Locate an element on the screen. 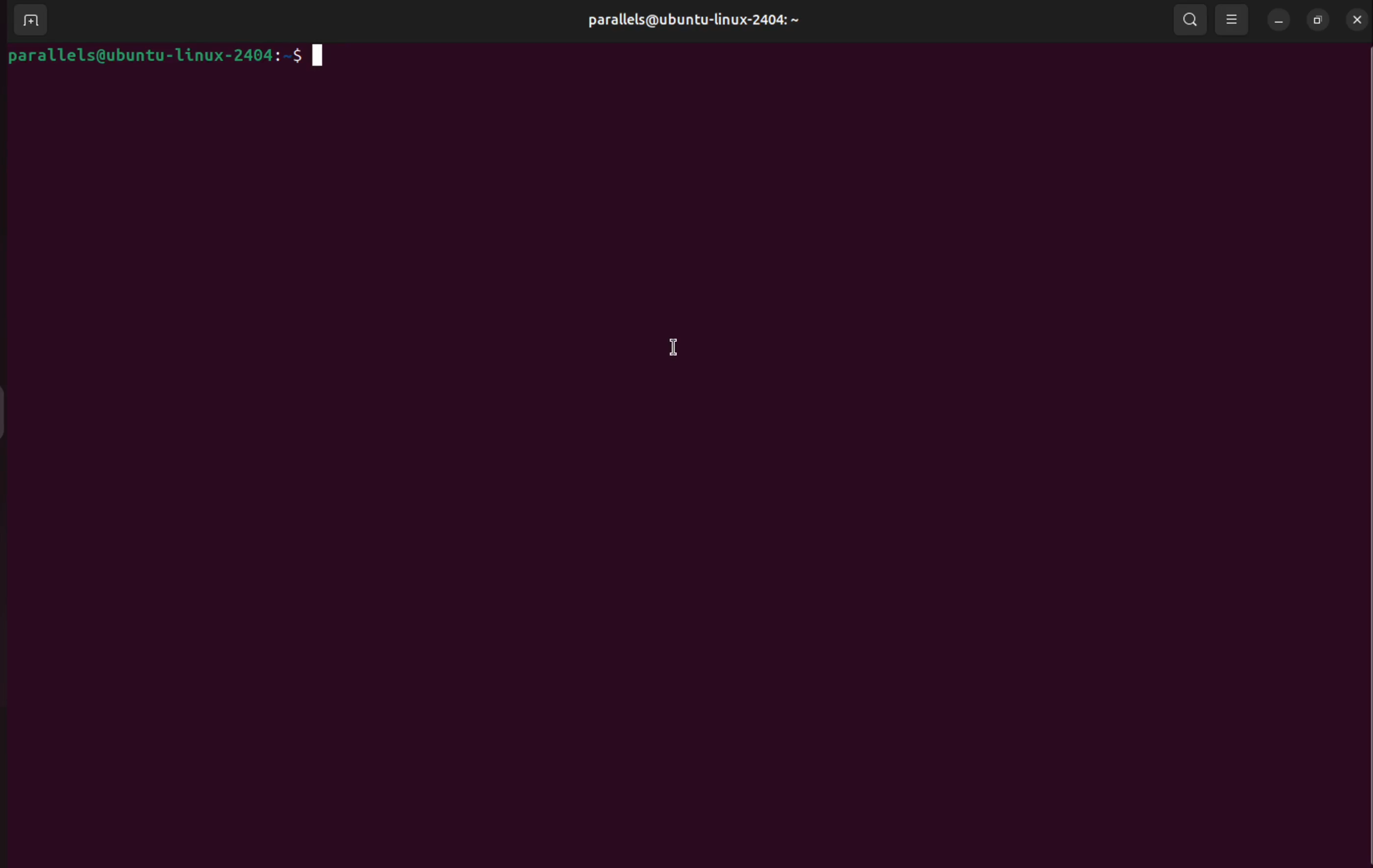 The image size is (1373, 868). close is located at coordinates (1357, 19).